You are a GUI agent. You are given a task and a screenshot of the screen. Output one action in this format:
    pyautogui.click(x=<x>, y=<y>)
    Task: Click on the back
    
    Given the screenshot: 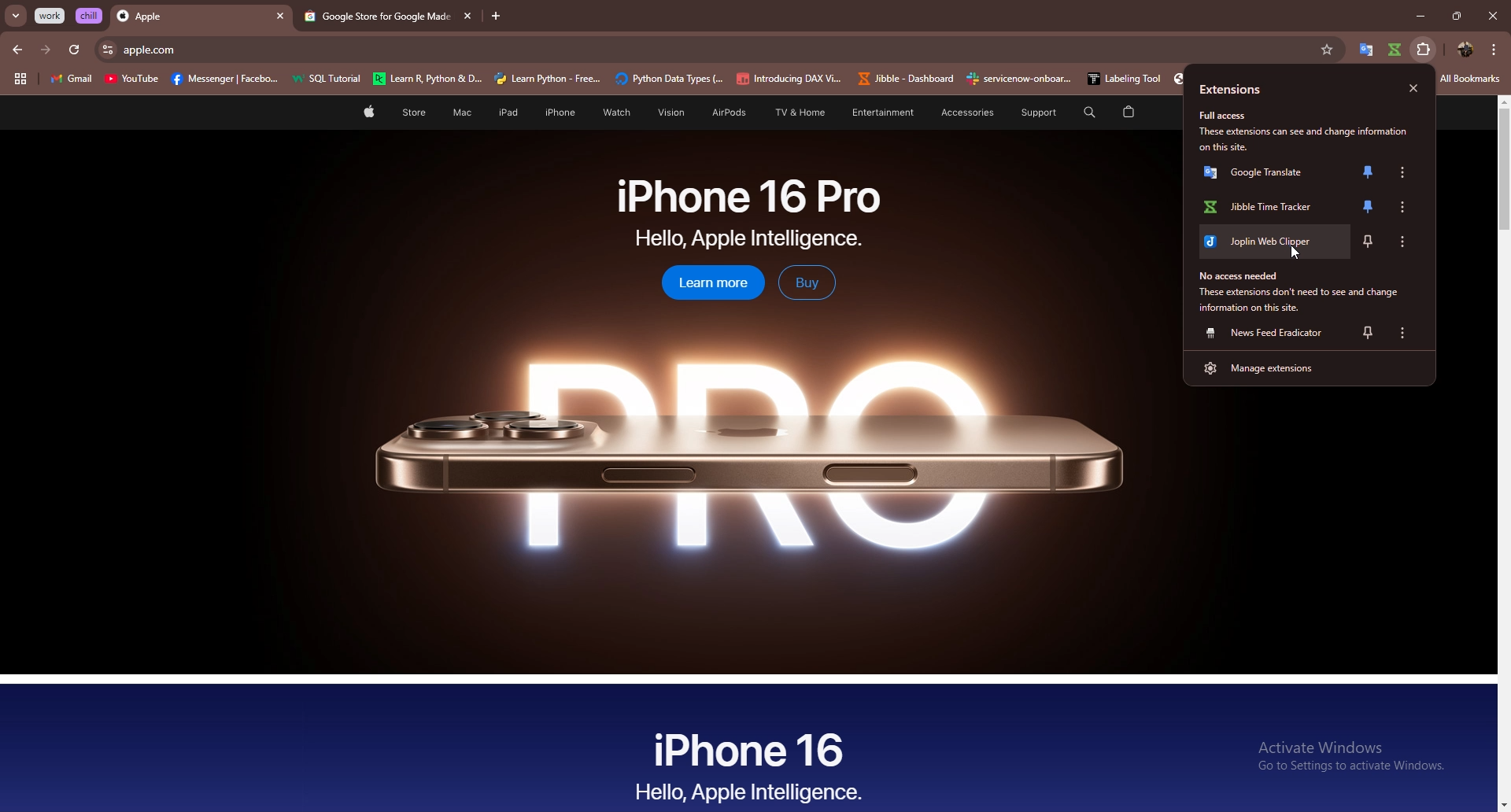 What is the action you would take?
    pyautogui.click(x=19, y=50)
    